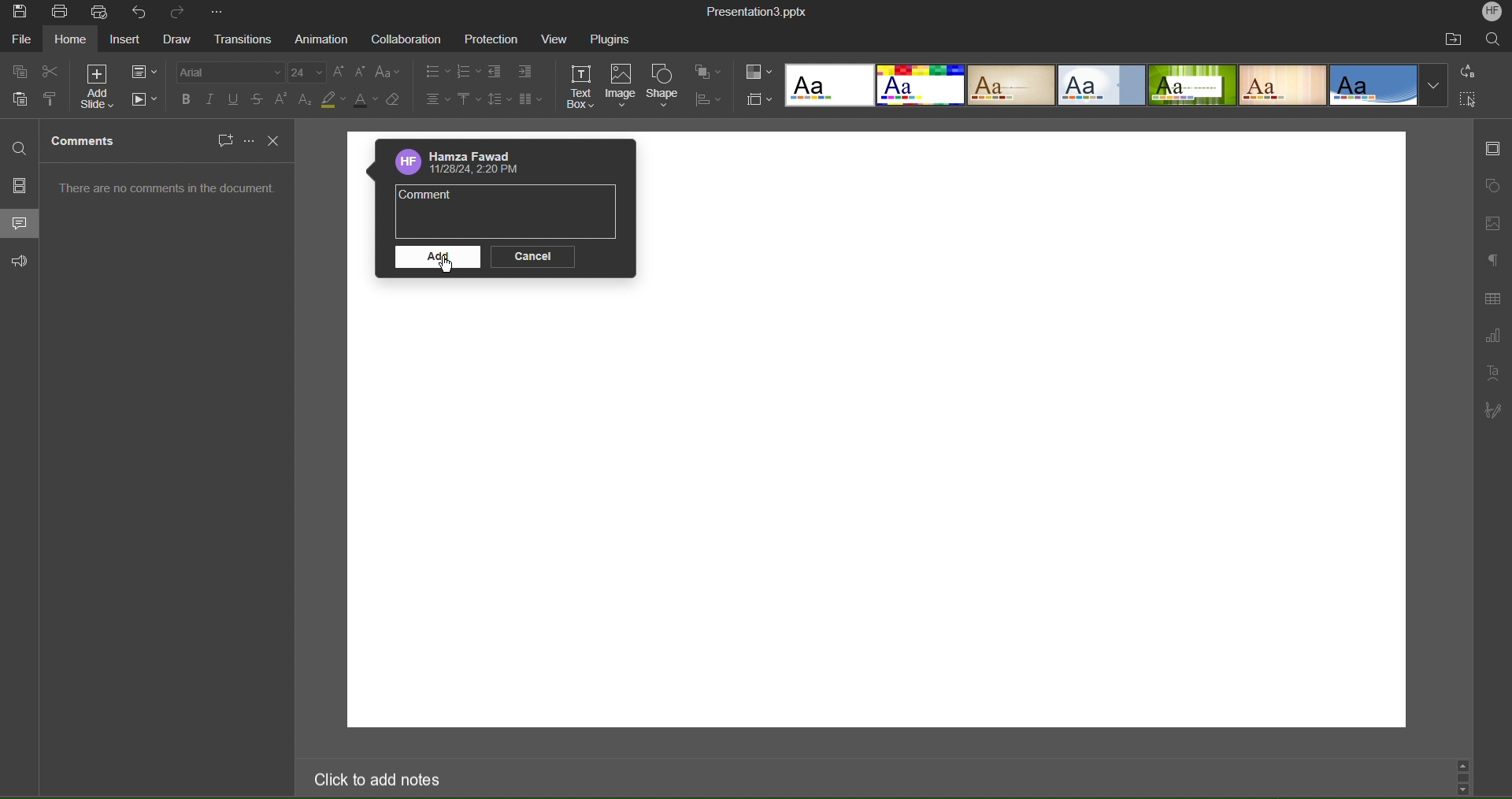 This screenshot has width=1512, height=799. Describe the element at coordinates (140, 12) in the screenshot. I see `Undo` at that location.